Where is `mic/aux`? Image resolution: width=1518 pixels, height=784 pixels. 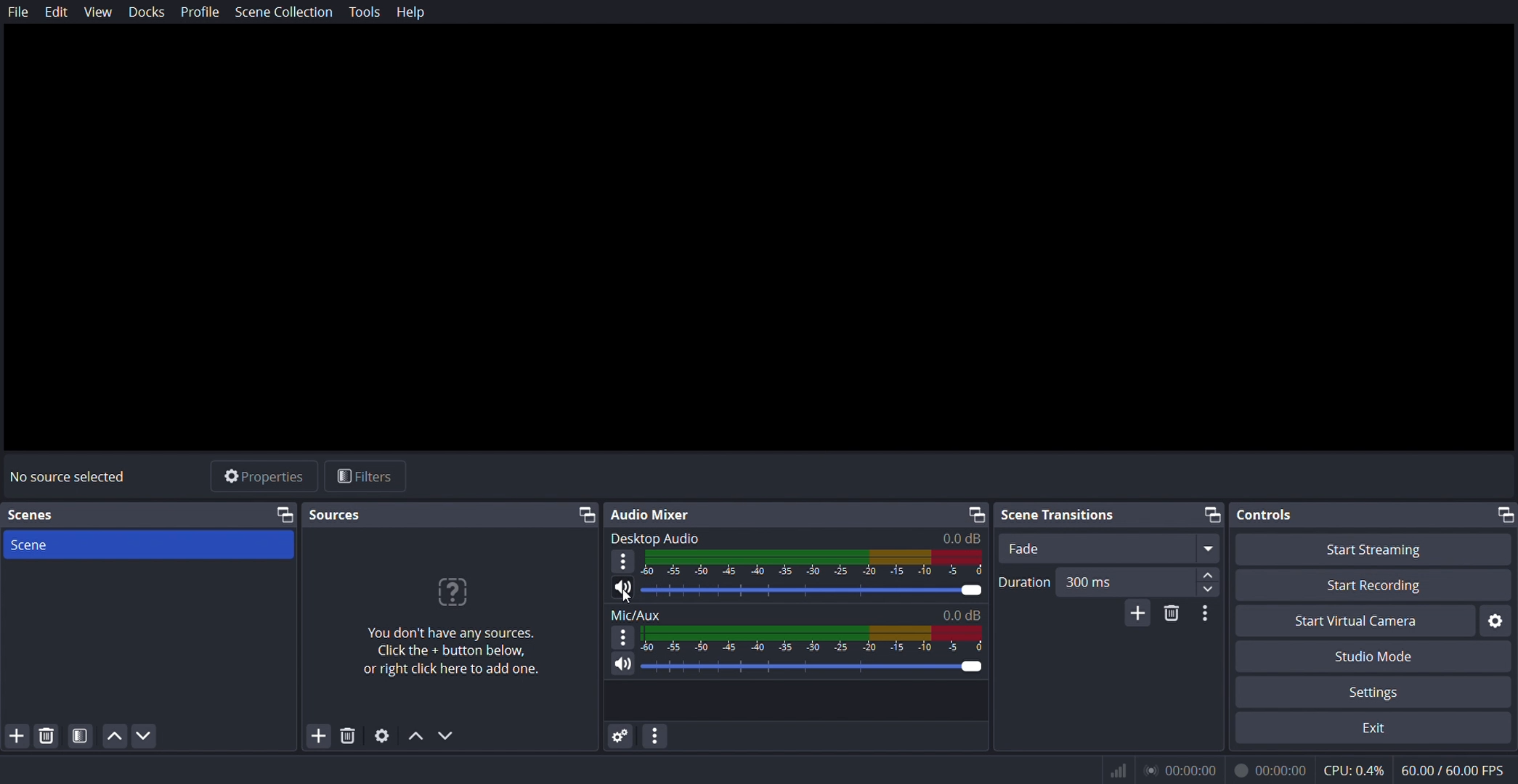 mic/aux is located at coordinates (797, 616).